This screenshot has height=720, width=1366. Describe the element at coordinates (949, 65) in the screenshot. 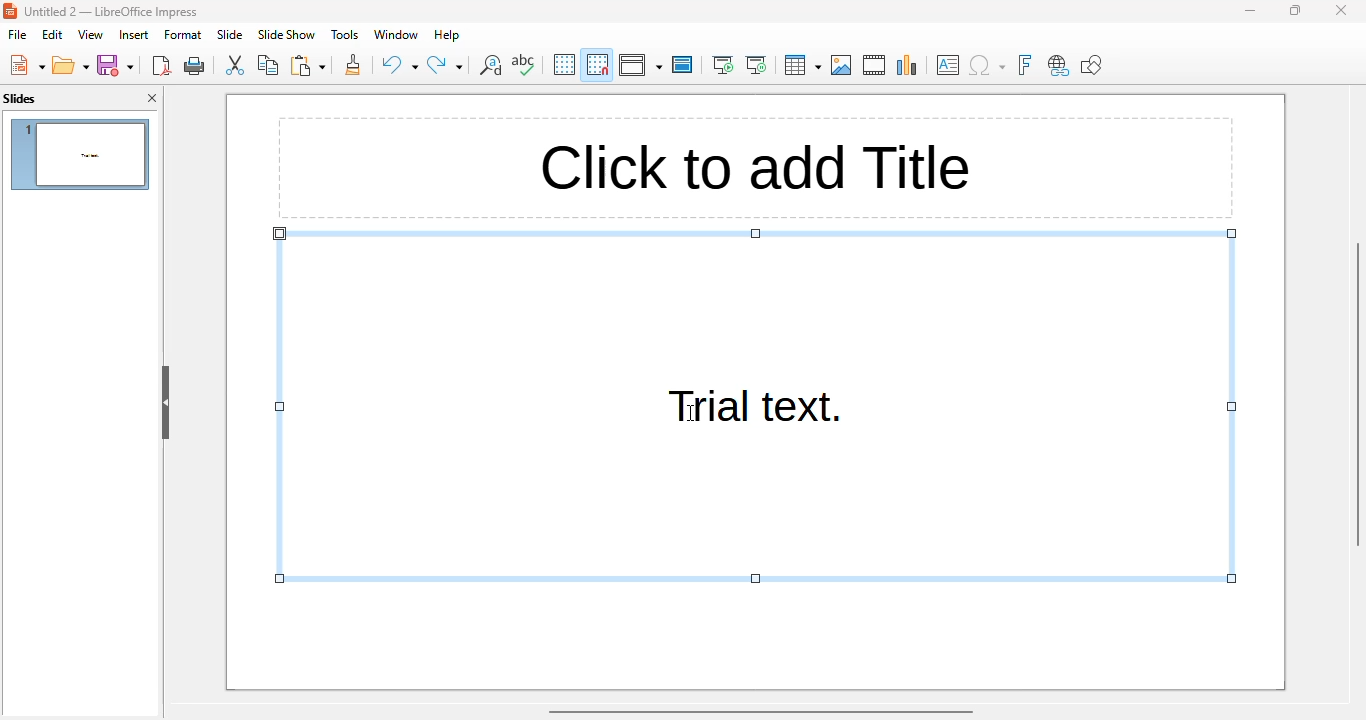

I see `insert text box` at that location.